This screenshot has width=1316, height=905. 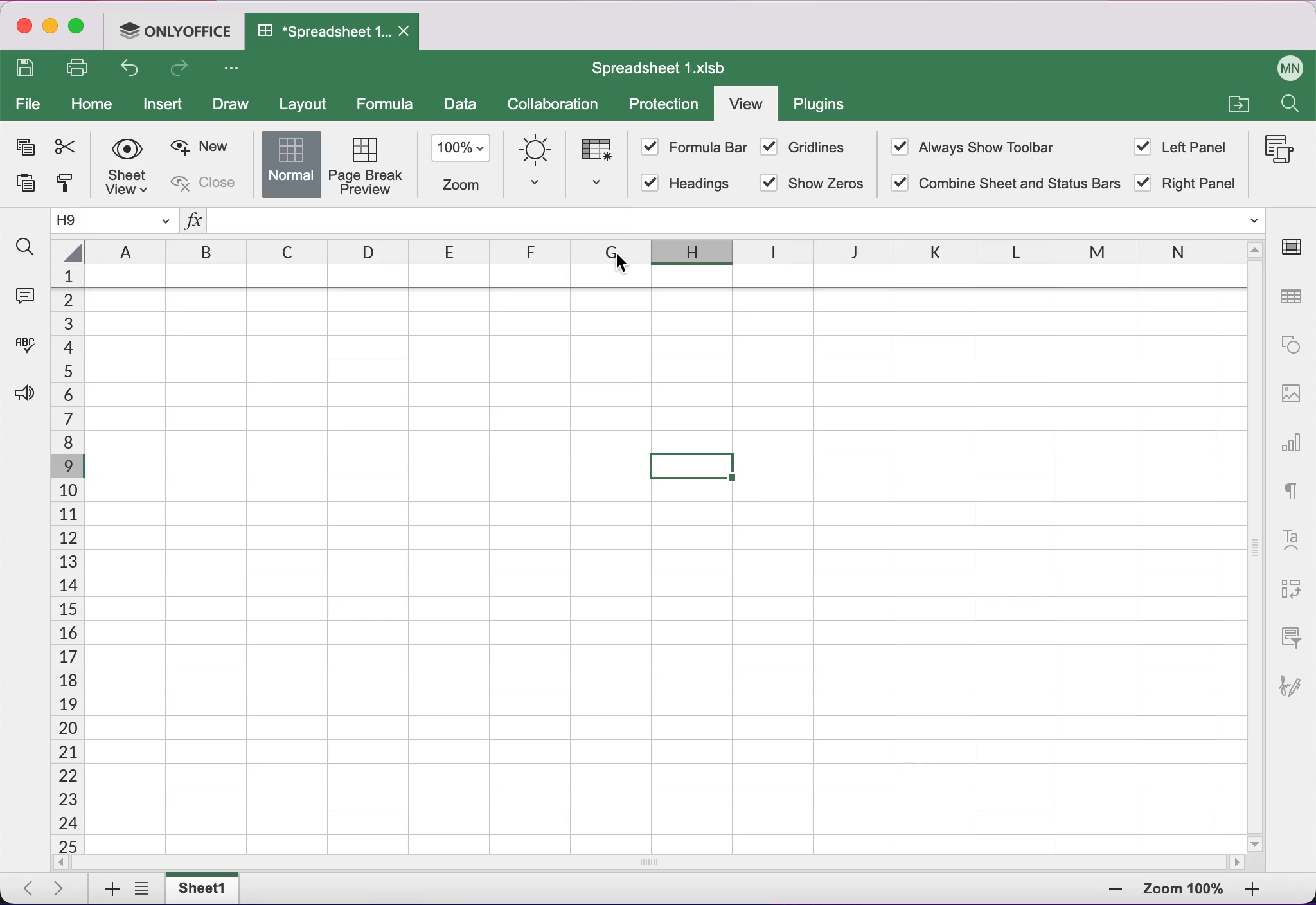 What do you see at coordinates (142, 889) in the screenshot?
I see `list all tabs` at bounding box center [142, 889].